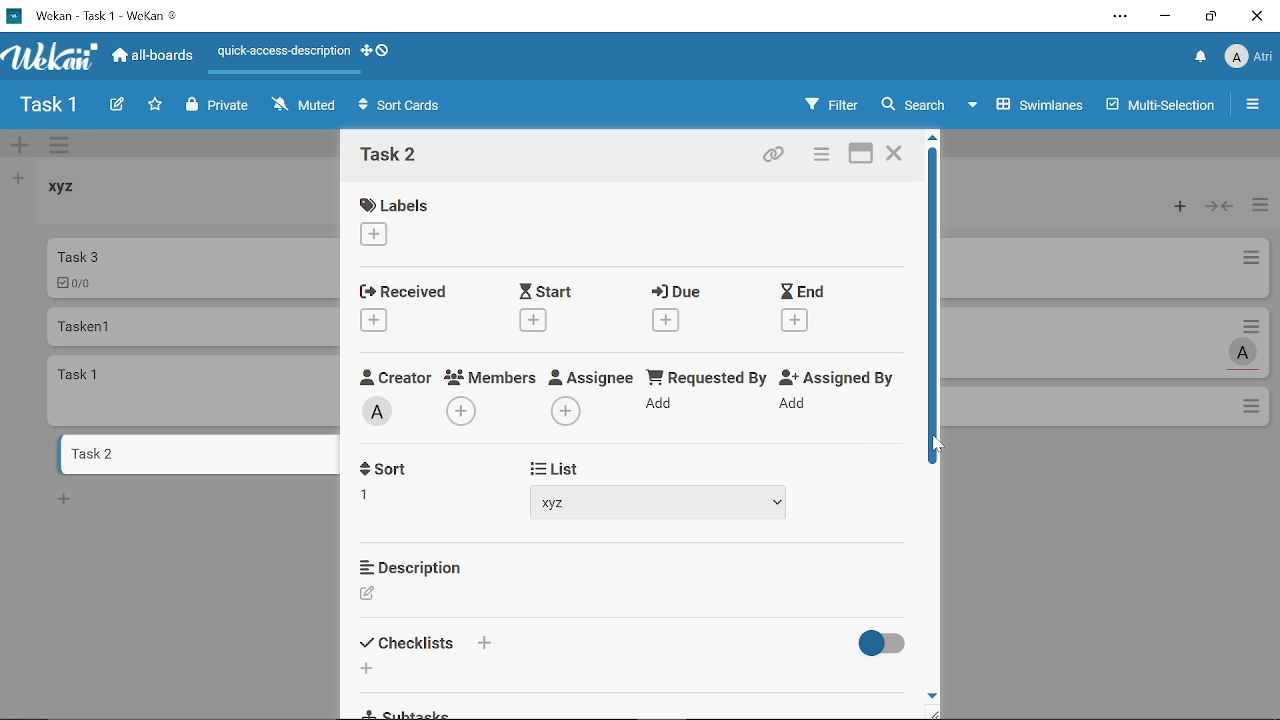 This screenshot has height=720, width=1280. Describe the element at coordinates (466, 413) in the screenshot. I see `Add memeber` at that location.